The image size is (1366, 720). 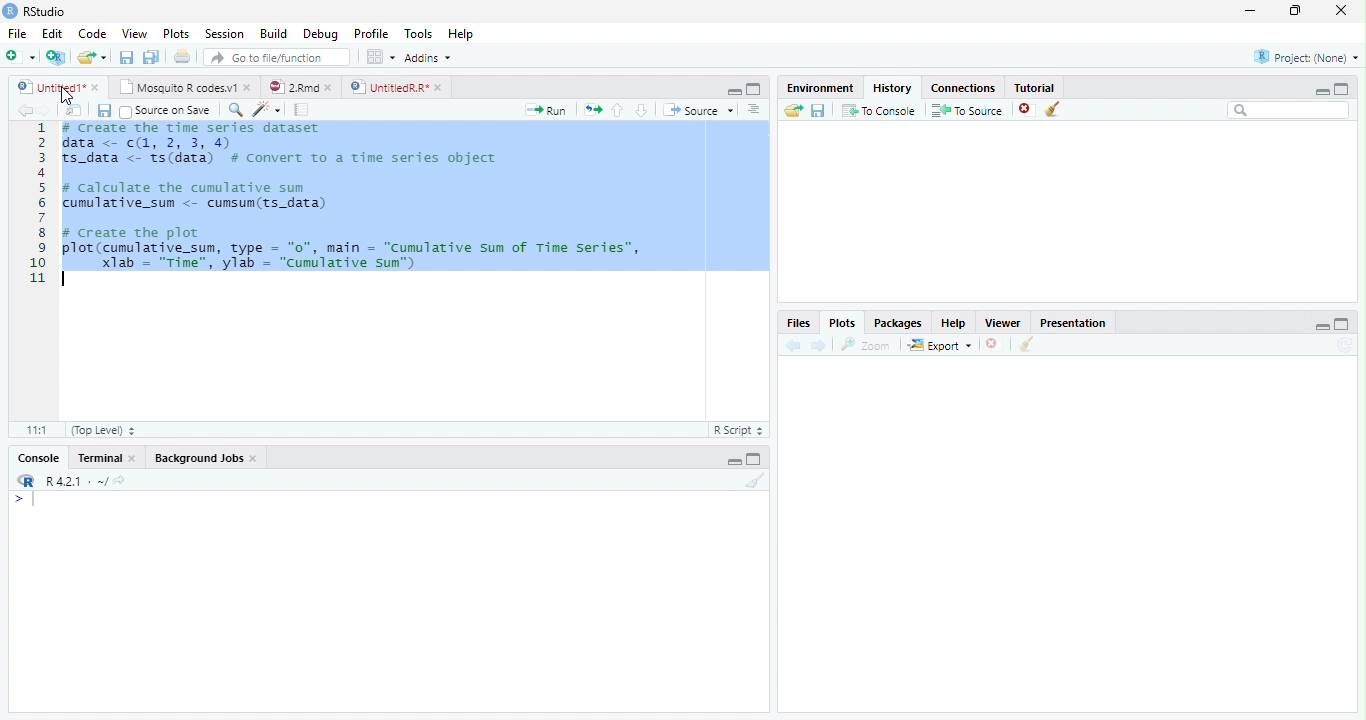 What do you see at coordinates (1336, 12) in the screenshot?
I see `Close` at bounding box center [1336, 12].